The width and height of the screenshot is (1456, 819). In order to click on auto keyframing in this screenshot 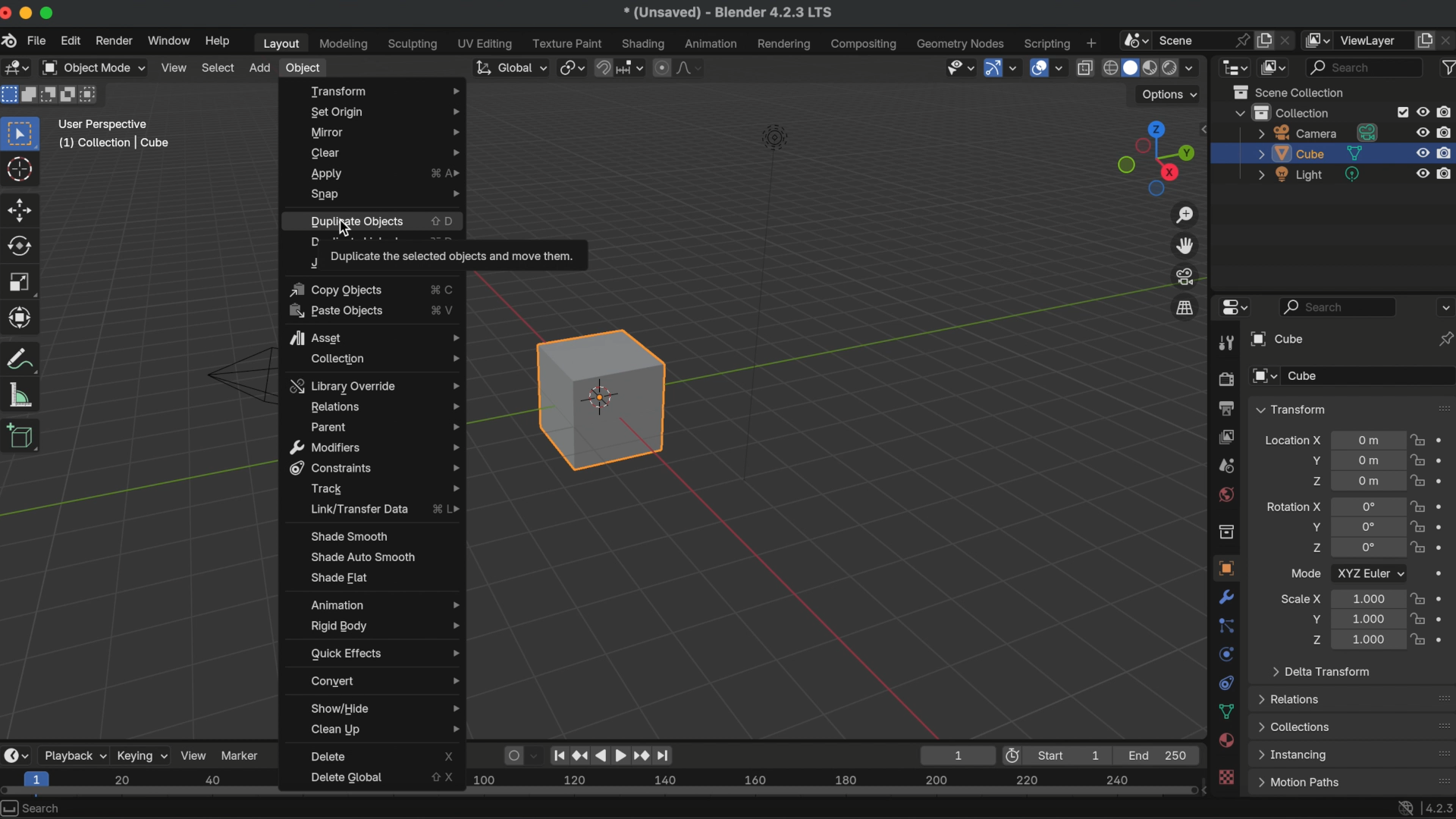, I will do `click(537, 755)`.